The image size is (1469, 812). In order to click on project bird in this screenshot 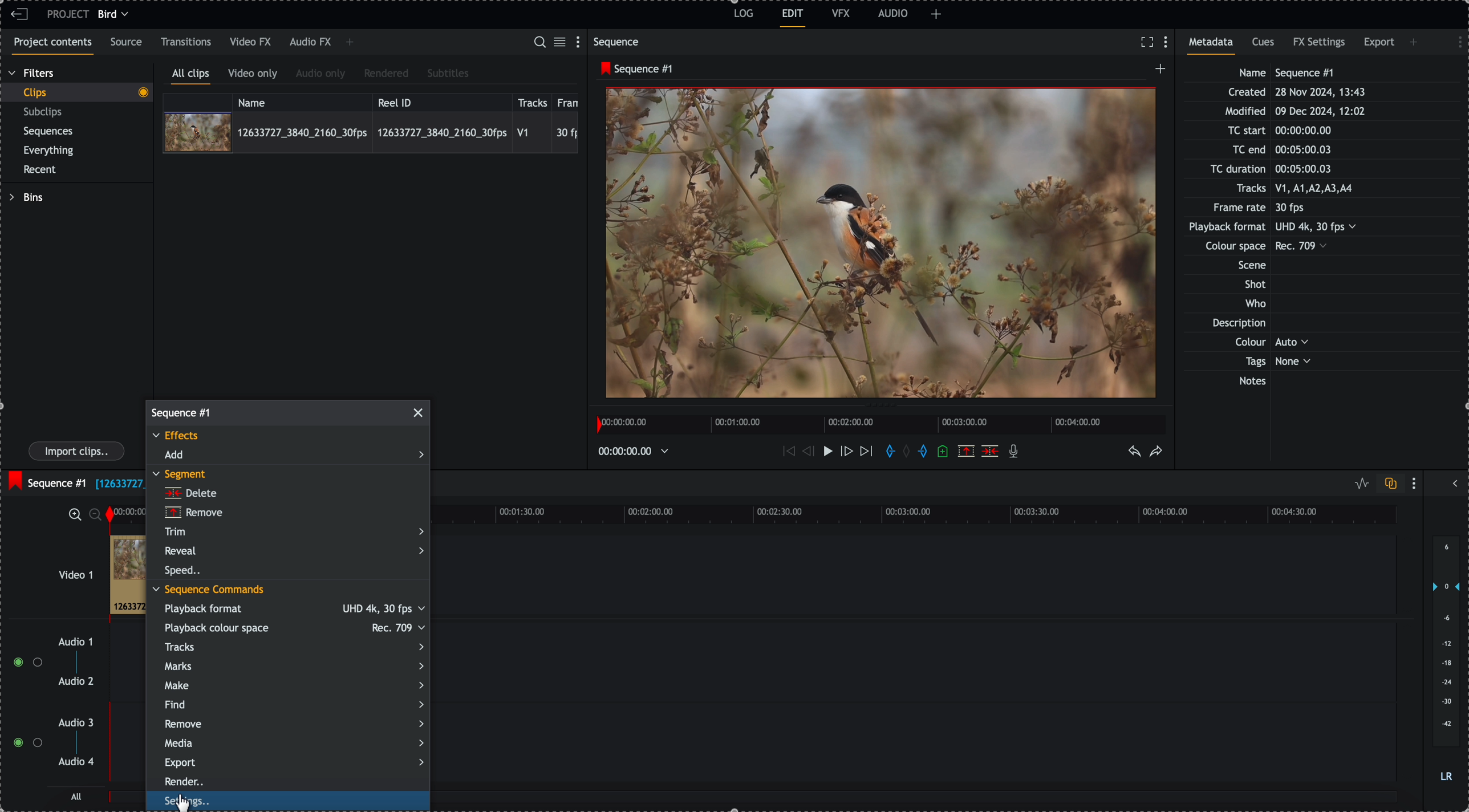, I will do `click(91, 14)`.